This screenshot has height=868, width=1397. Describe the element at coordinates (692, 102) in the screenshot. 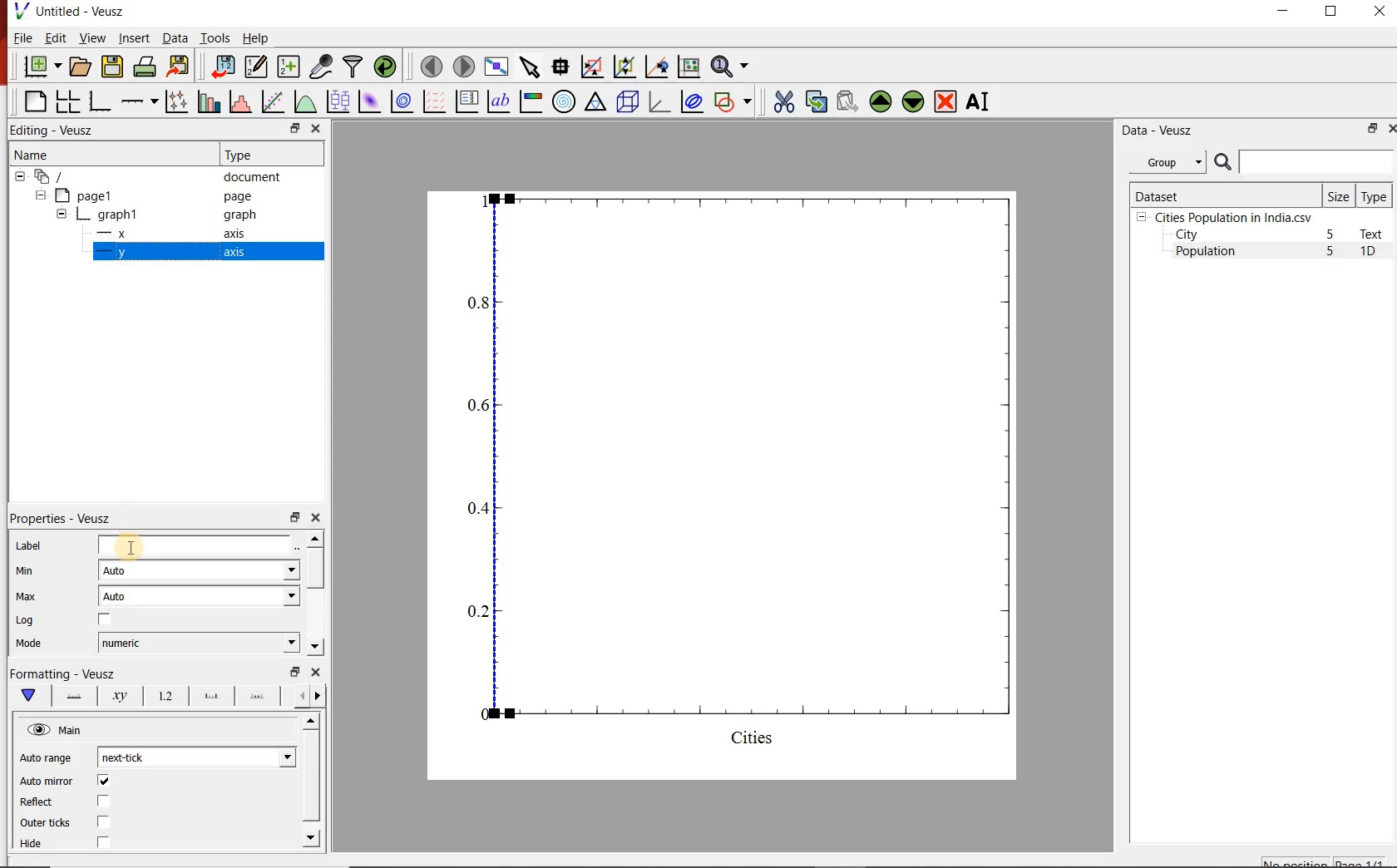

I see `plot covariance ellipses` at that location.